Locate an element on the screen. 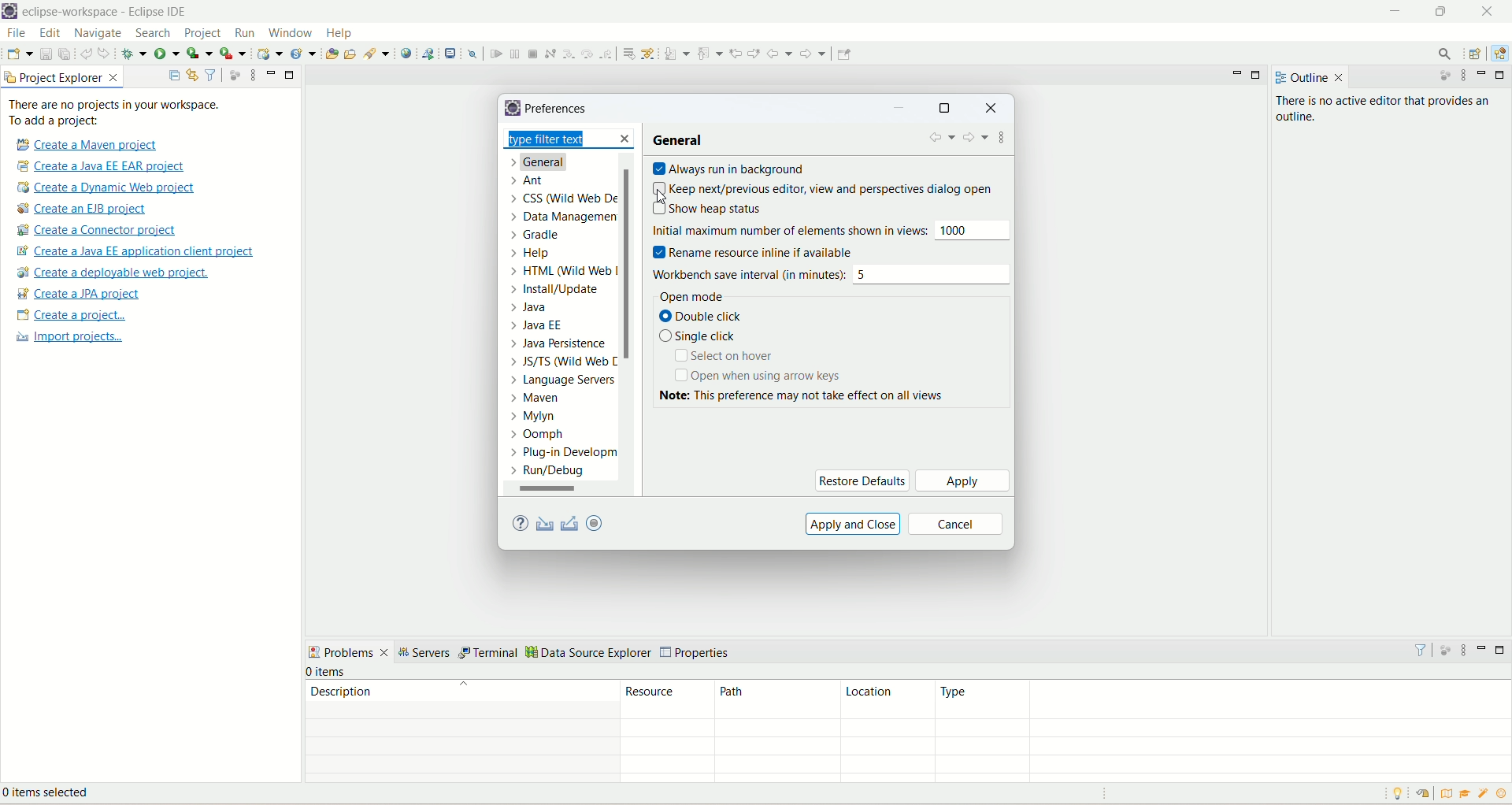 The image size is (1512, 805). filters is located at coordinates (1420, 649).